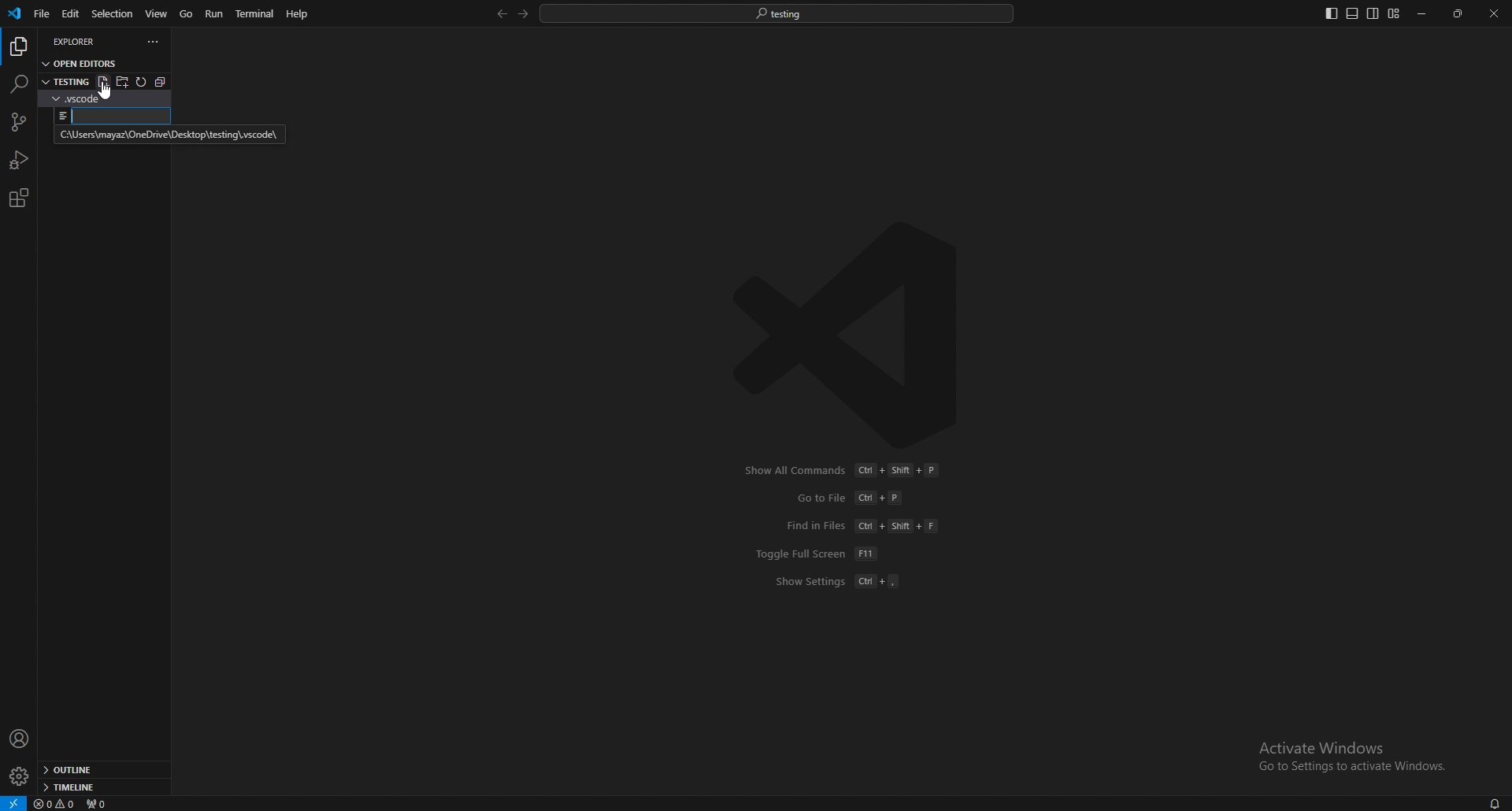  What do you see at coordinates (82, 62) in the screenshot?
I see `open editors` at bounding box center [82, 62].